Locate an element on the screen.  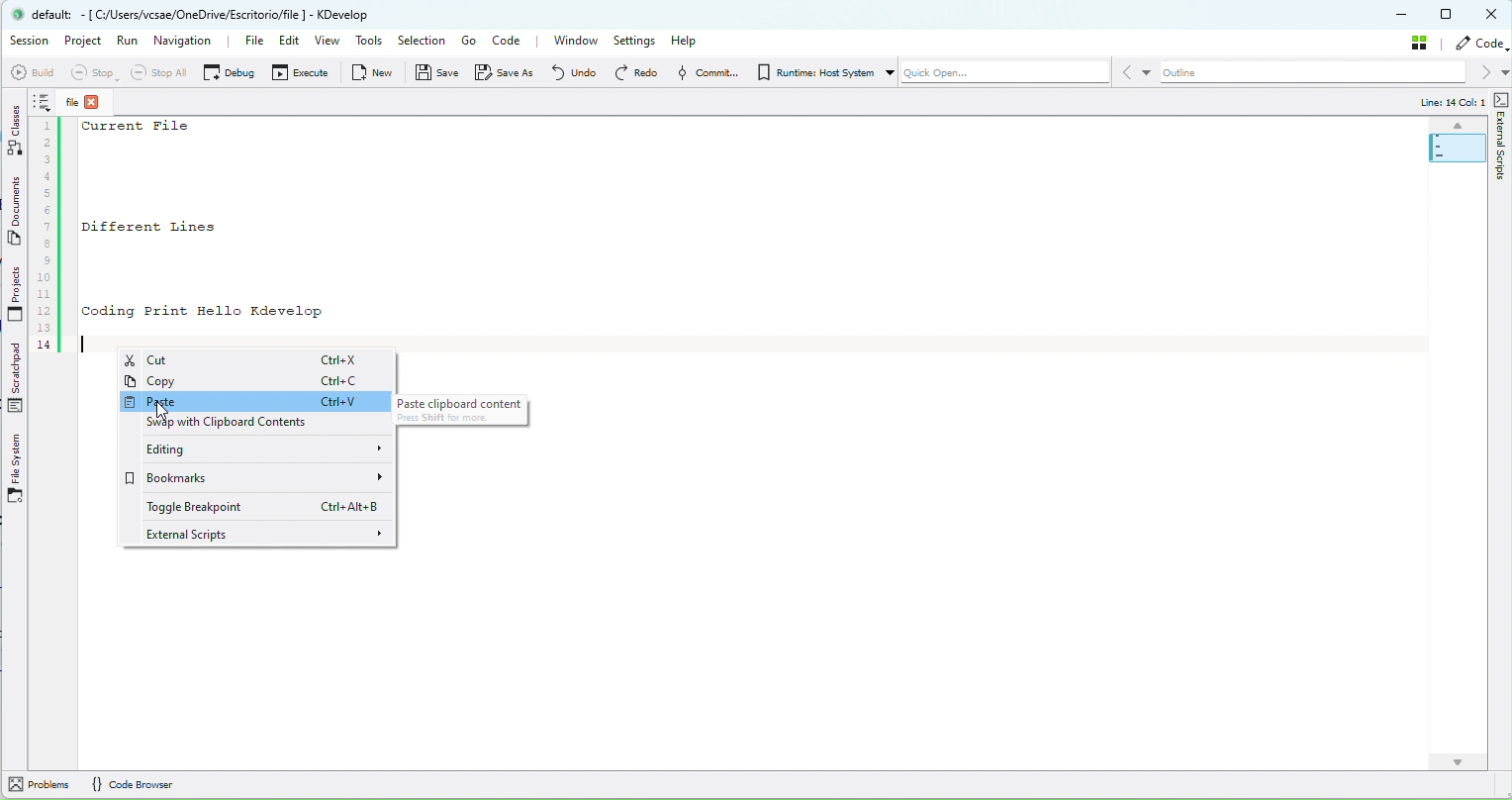
outline is located at coordinates (1324, 73).